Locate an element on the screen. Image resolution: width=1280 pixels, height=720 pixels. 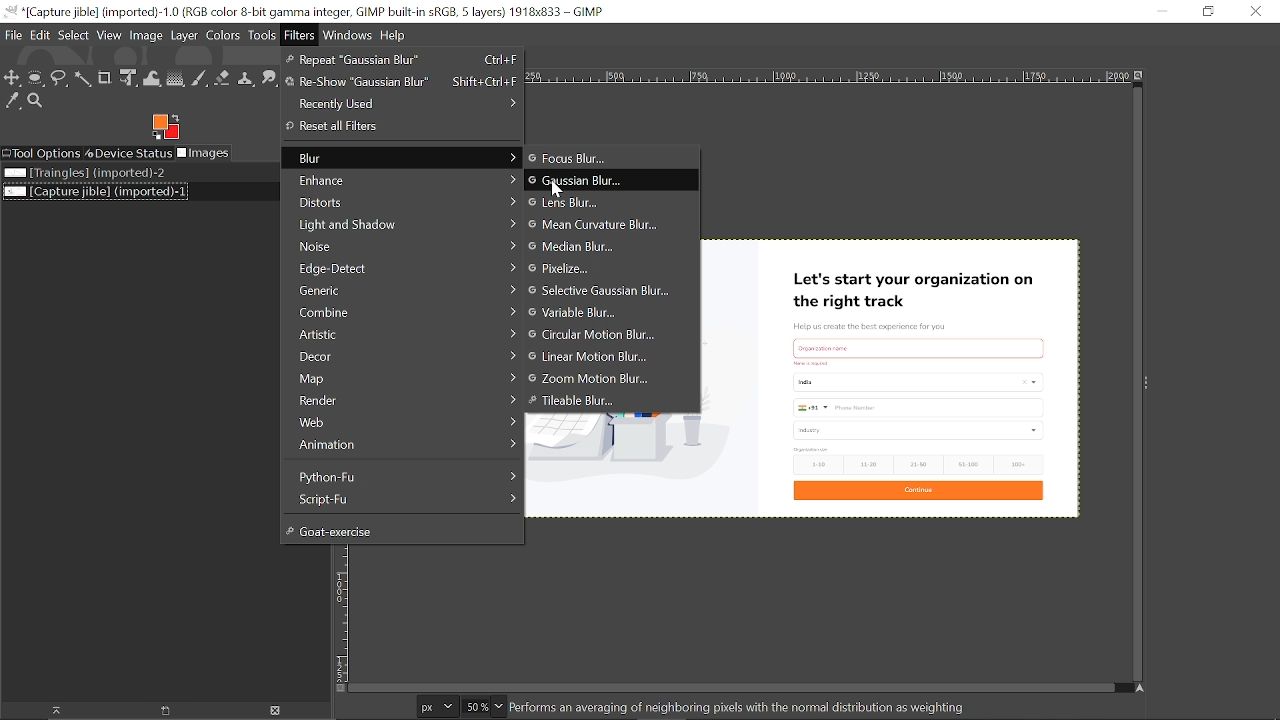
Python-Fu is located at coordinates (404, 475).